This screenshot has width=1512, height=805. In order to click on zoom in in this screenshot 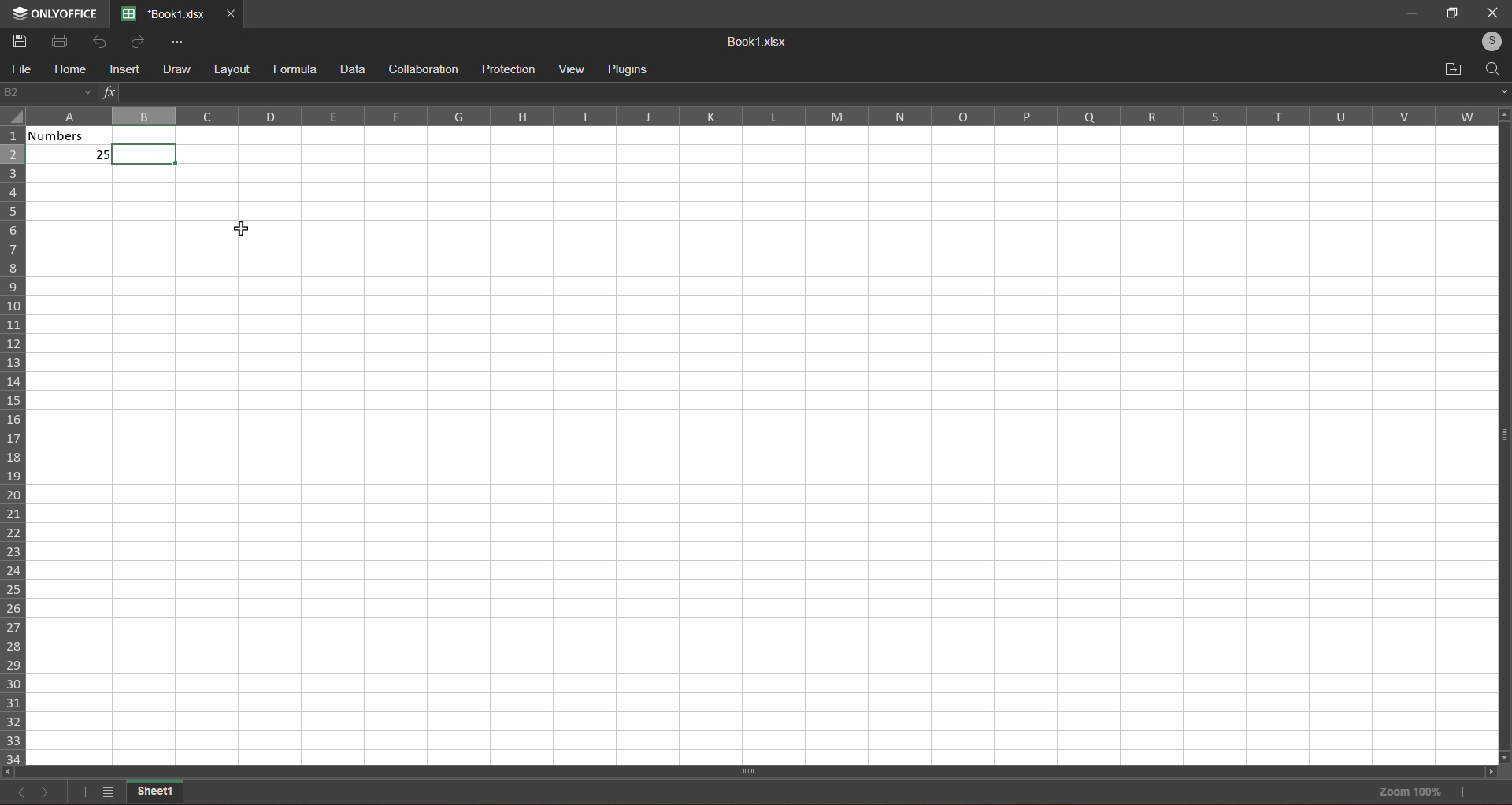, I will do `click(1464, 793)`.